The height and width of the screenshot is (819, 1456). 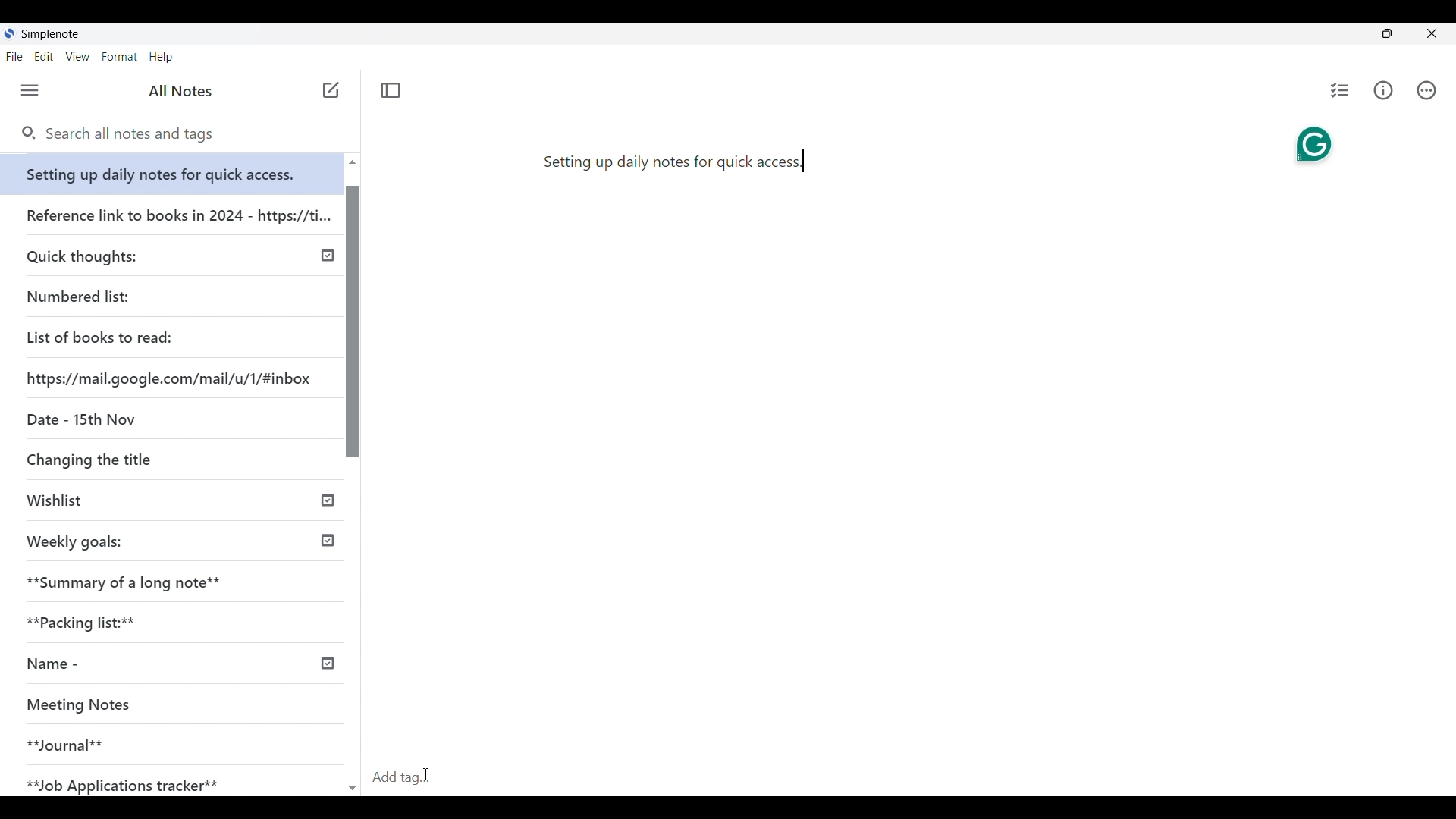 What do you see at coordinates (672, 160) in the screenshot?
I see `setting up daily notes for quick access` at bounding box center [672, 160].